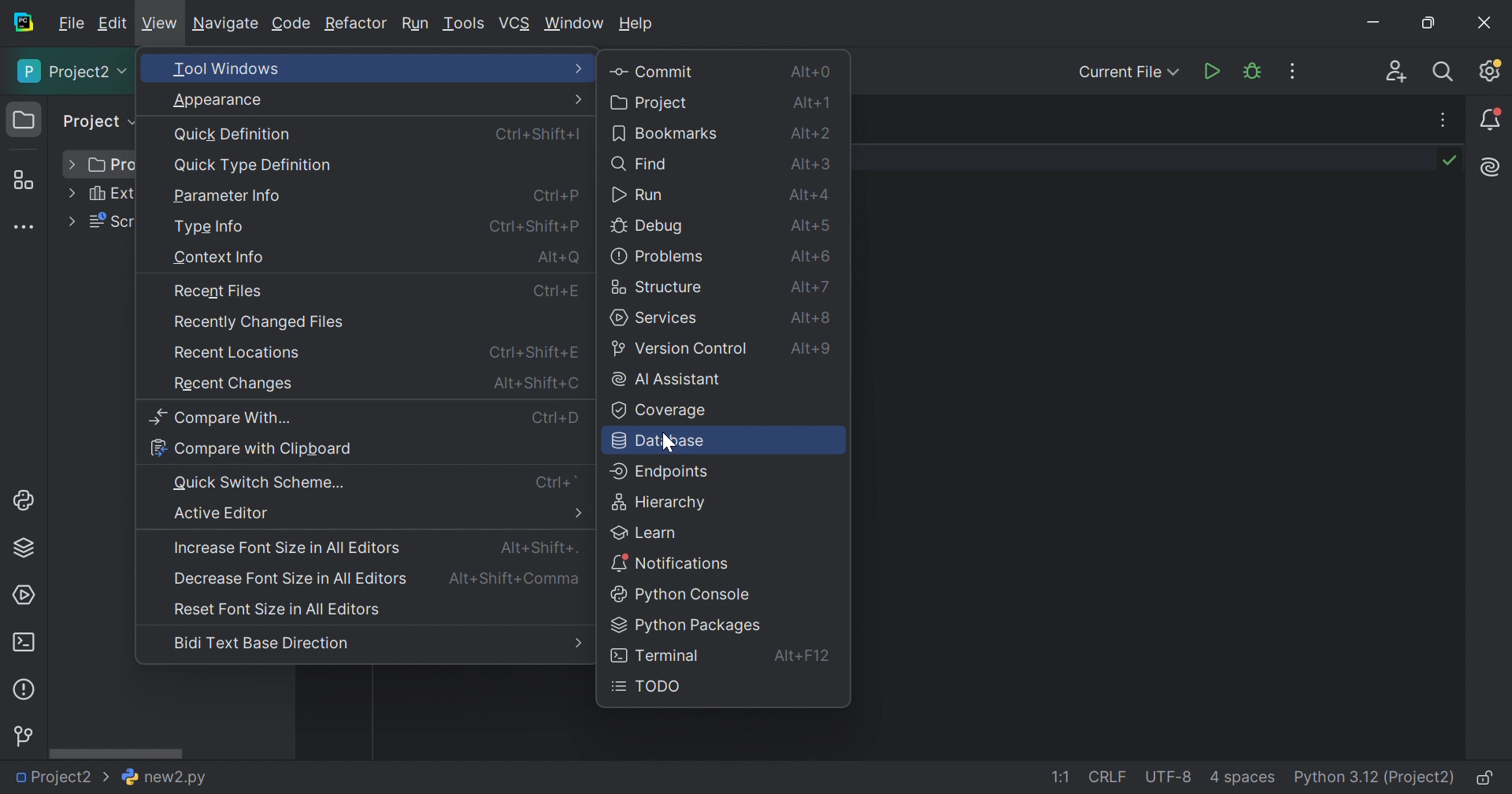 The image size is (1512, 794). What do you see at coordinates (537, 548) in the screenshot?
I see `Alt+Shift+.` at bounding box center [537, 548].